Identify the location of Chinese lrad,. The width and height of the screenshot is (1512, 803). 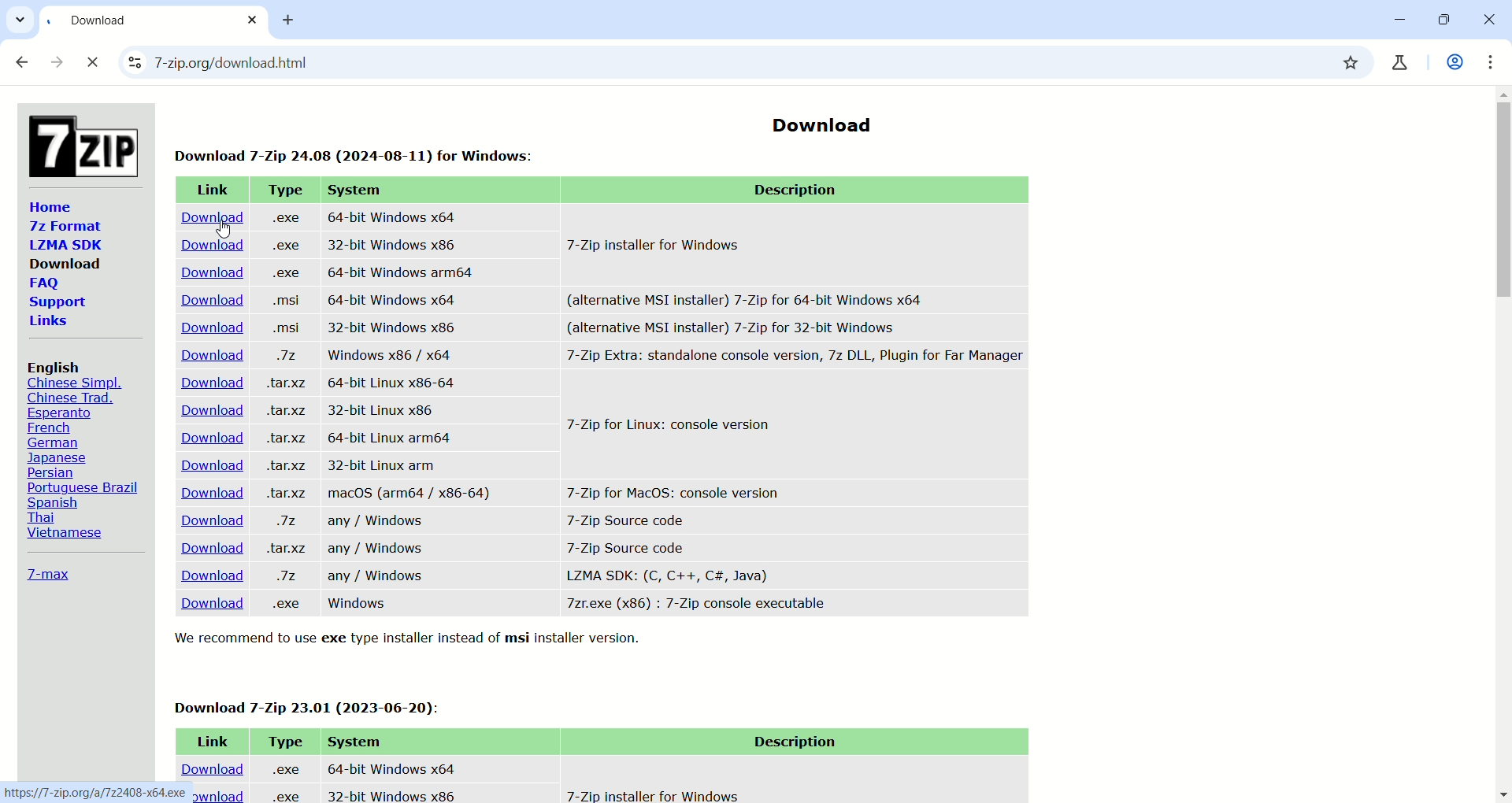
(70, 398).